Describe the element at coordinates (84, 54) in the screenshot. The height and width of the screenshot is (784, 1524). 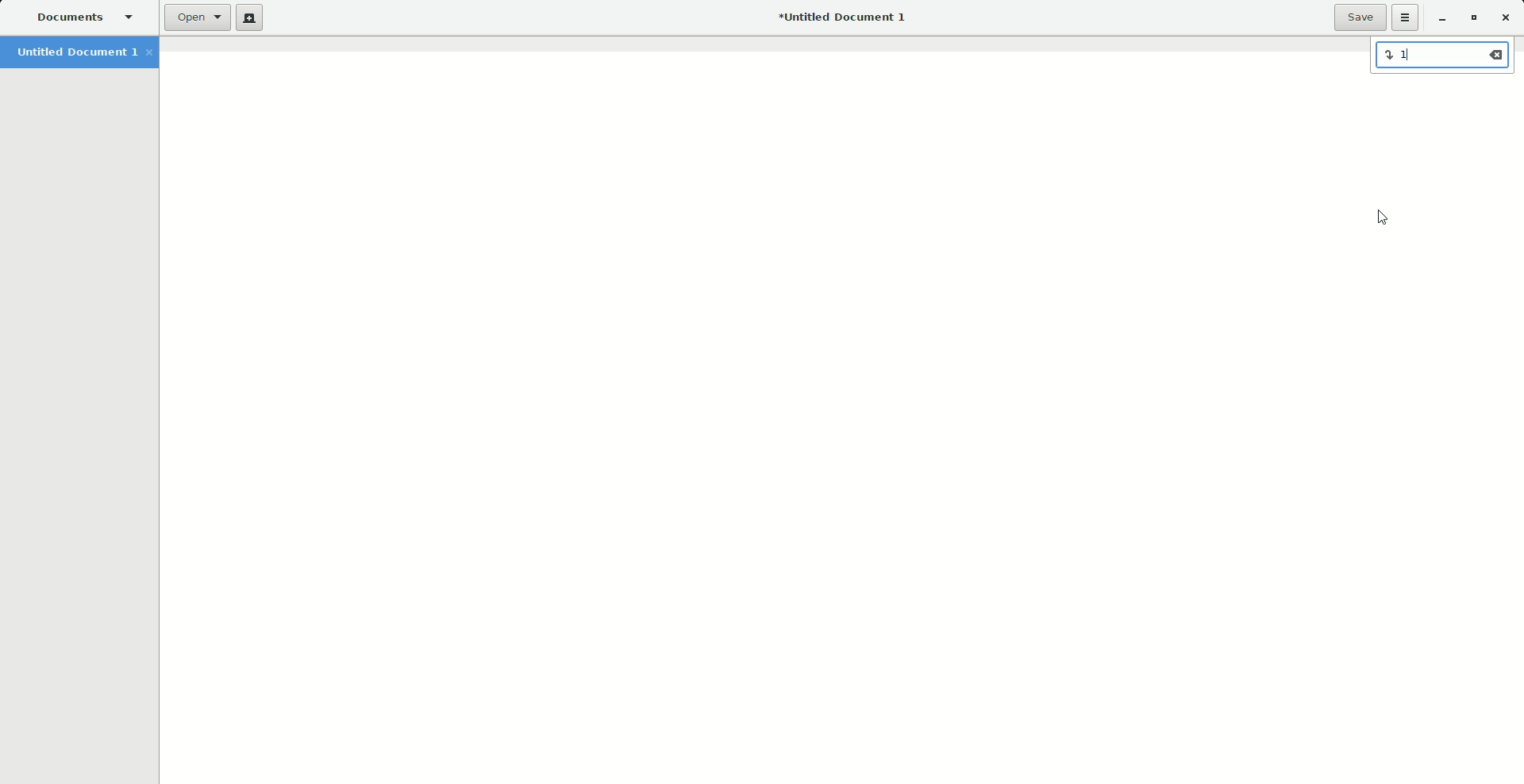
I see `Untitled Document 1` at that location.